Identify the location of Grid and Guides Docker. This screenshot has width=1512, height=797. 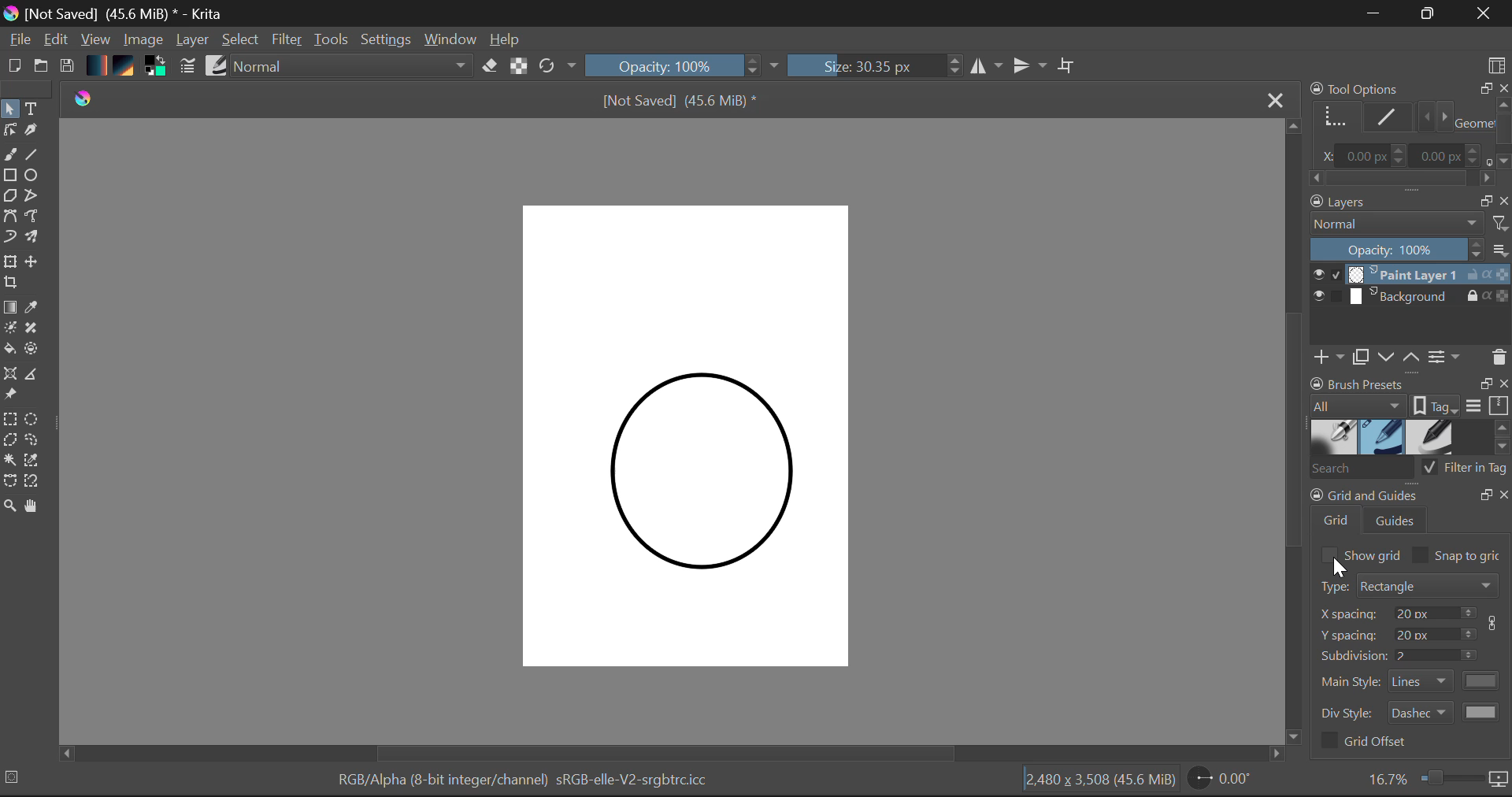
(1411, 622).